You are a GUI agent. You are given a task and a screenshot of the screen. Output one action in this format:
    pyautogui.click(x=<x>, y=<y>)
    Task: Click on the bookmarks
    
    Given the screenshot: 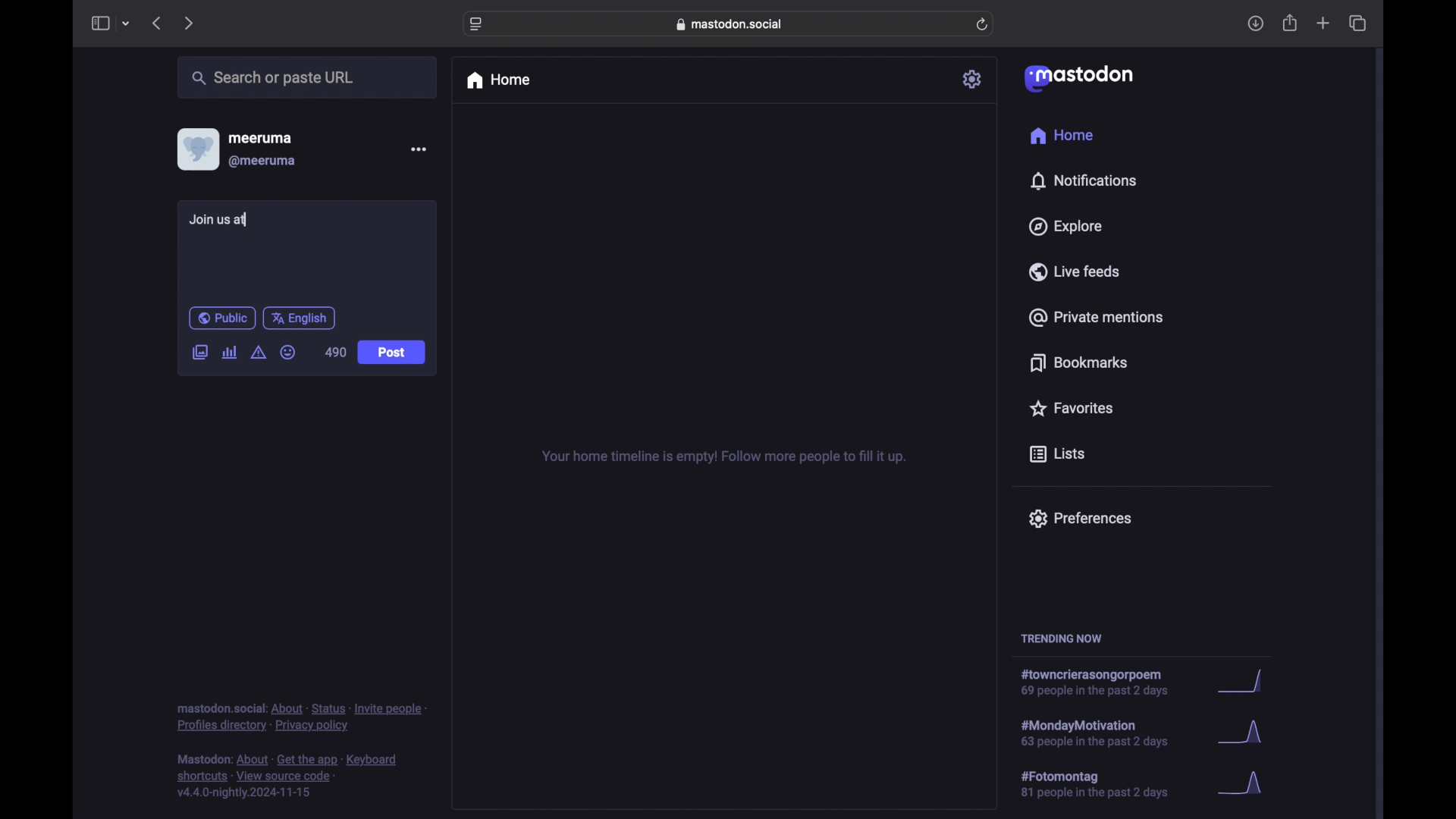 What is the action you would take?
    pyautogui.click(x=1078, y=362)
    